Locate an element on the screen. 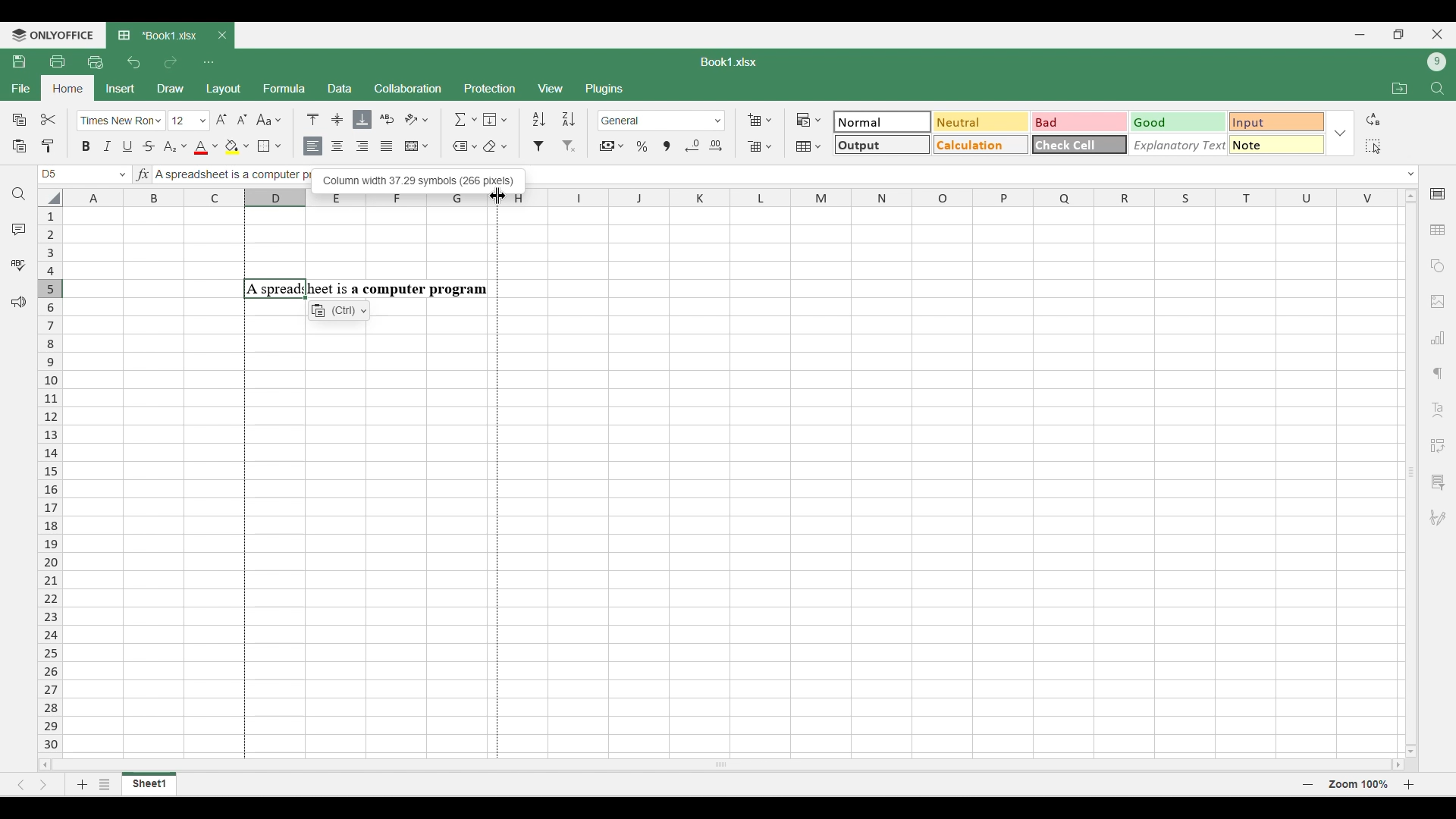  Position alignment options is located at coordinates (337, 119).